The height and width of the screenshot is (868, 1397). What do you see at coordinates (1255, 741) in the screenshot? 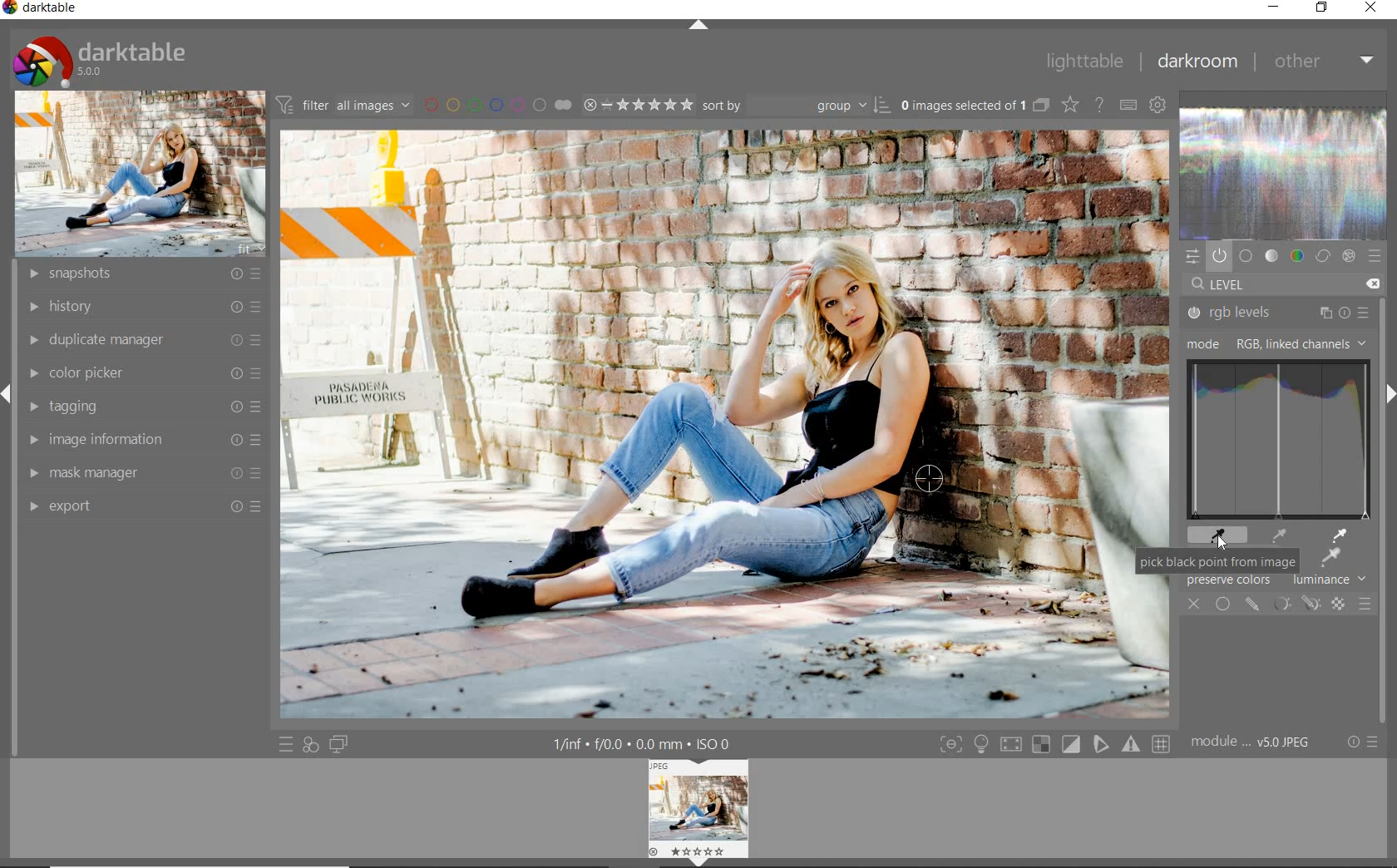
I see `module order` at bounding box center [1255, 741].